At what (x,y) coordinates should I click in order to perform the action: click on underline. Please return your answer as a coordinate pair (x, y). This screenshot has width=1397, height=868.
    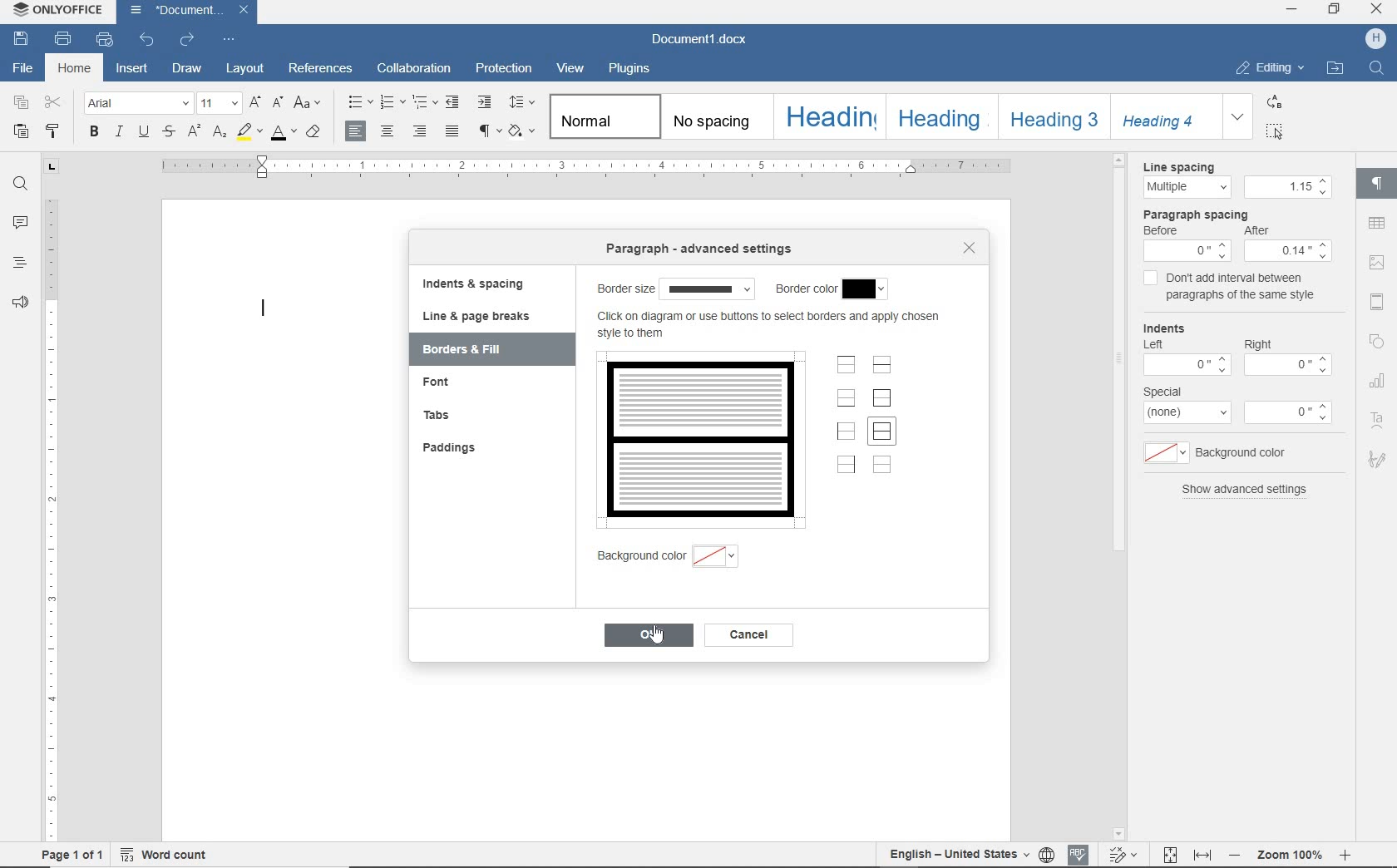
    Looking at the image, I should click on (144, 134).